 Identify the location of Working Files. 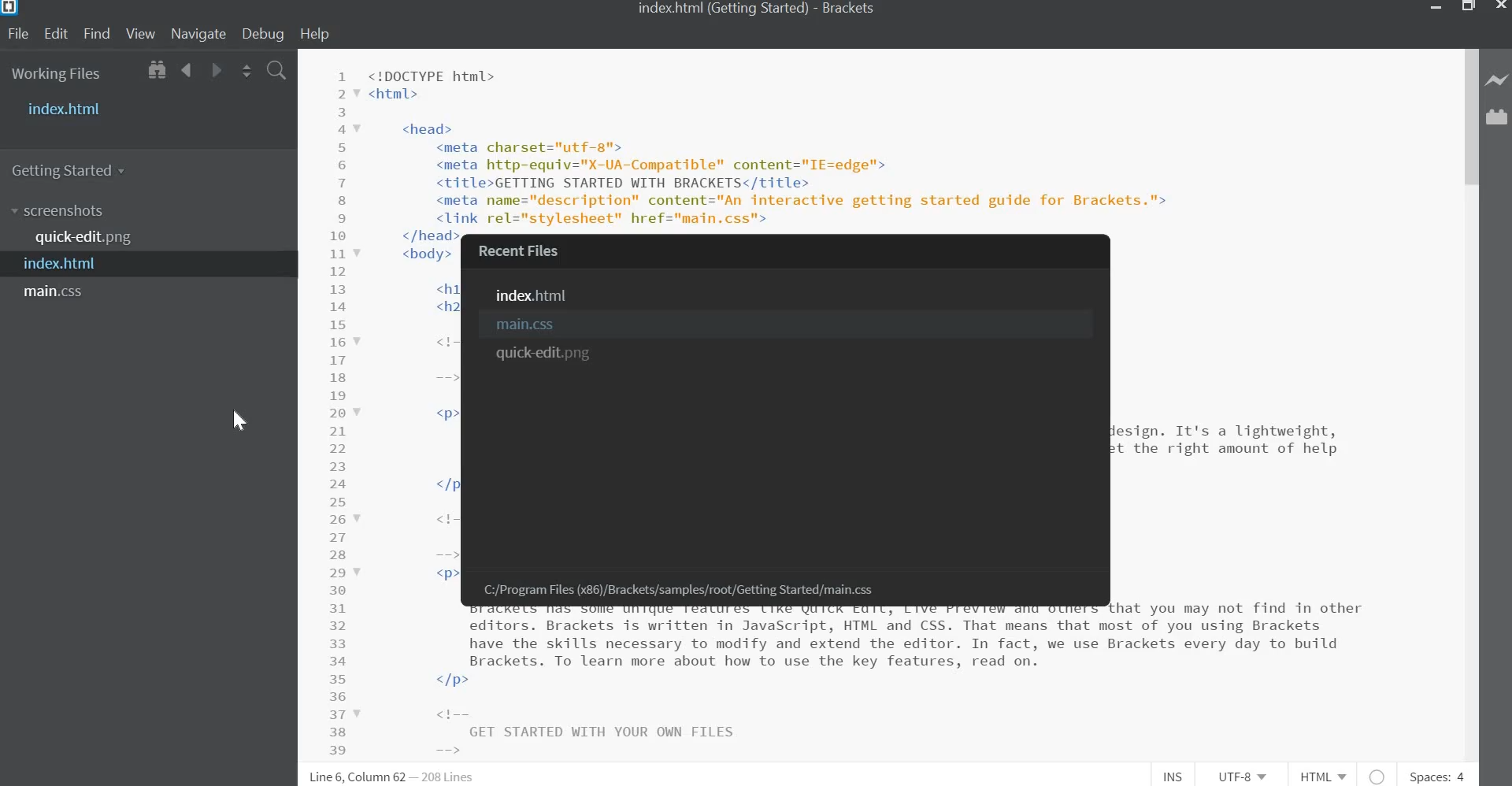
(57, 76).